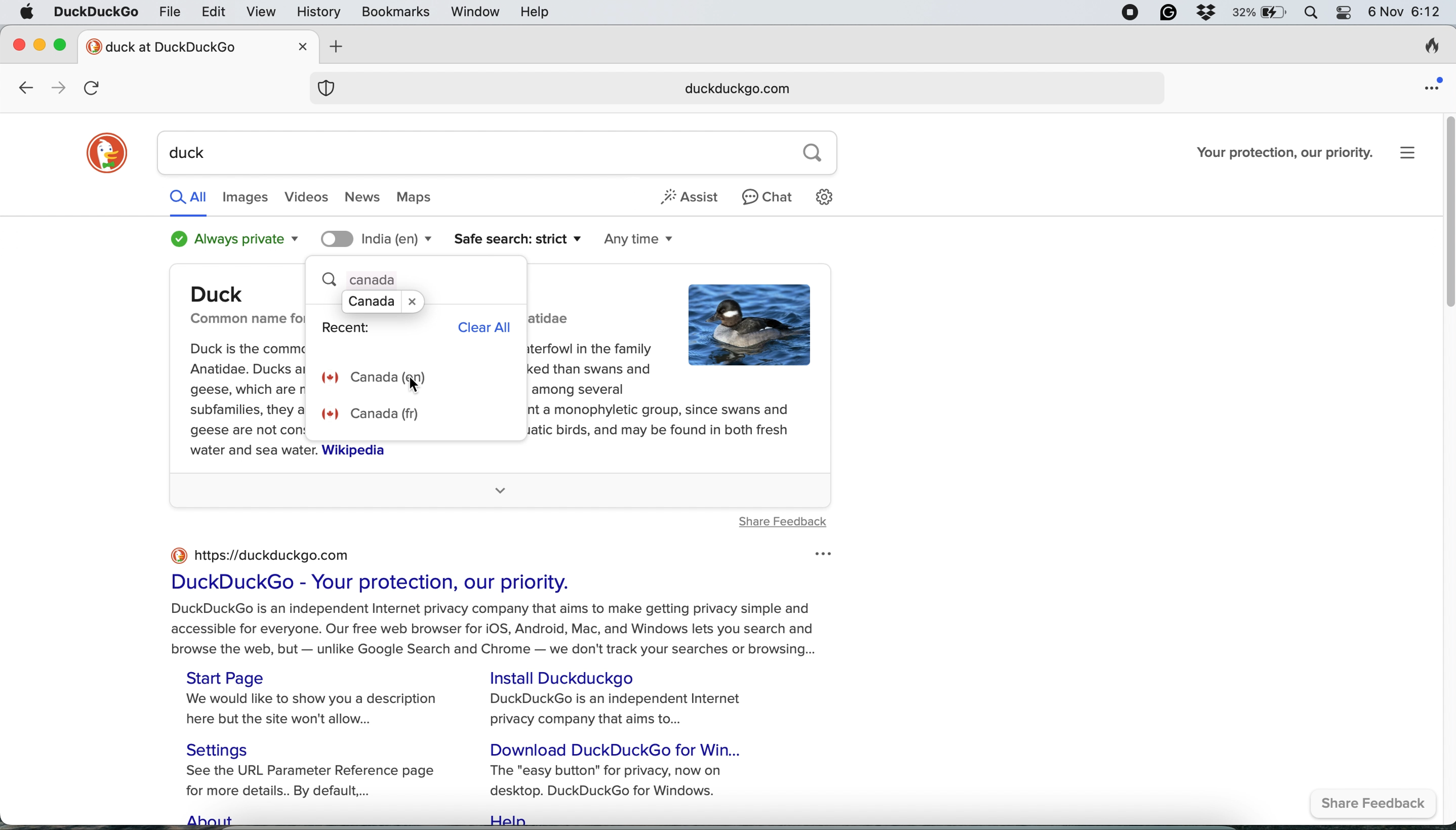 This screenshot has height=830, width=1456. What do you see at coordinates (820, 554) in the screenshot?
I see `options` at bounding box center [820, 554].